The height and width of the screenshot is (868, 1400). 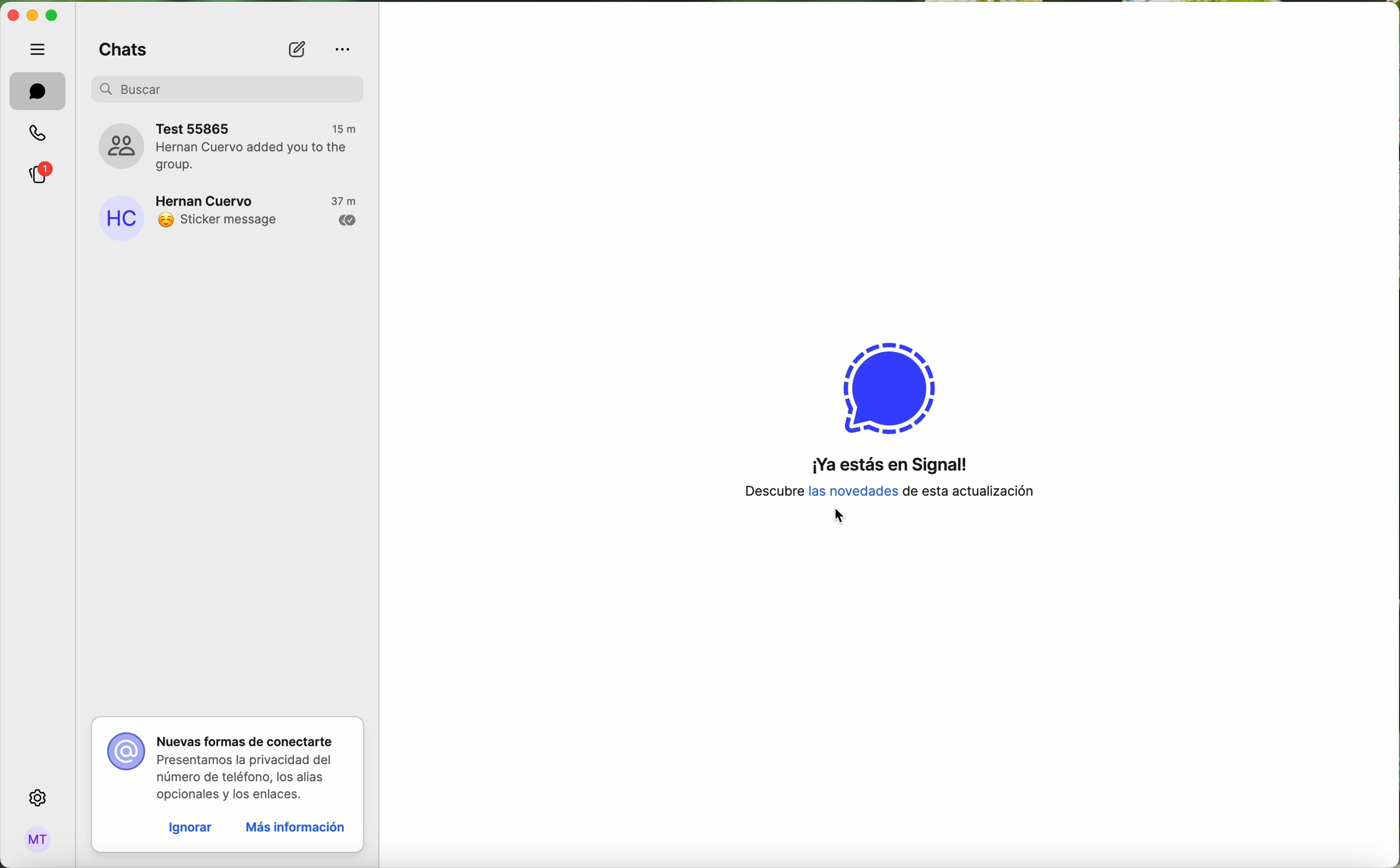 I want to click on click on settings, so click(x=38, y=799).